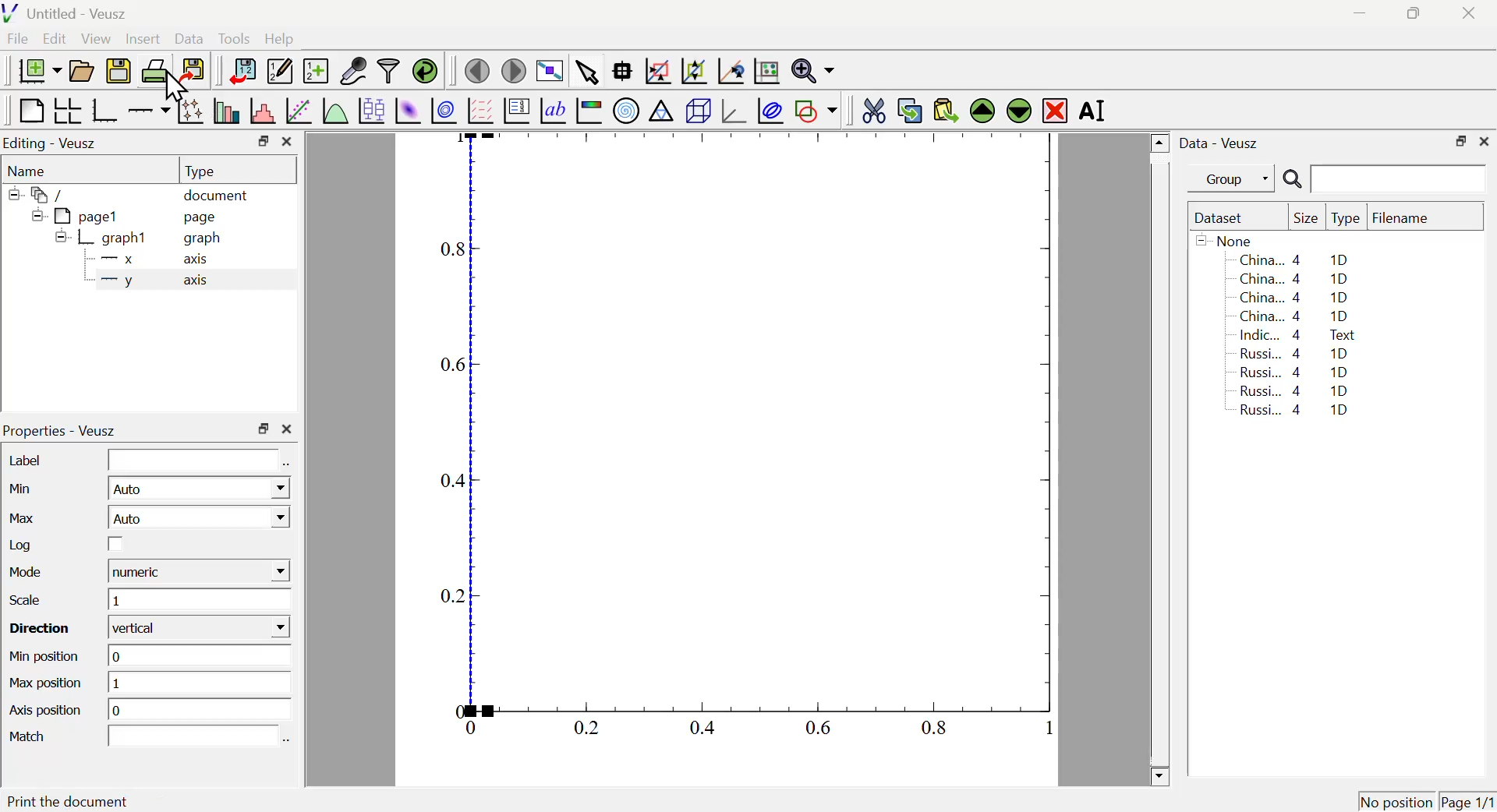 Image resolution: width=1497 pixels, height=812 pixels. I want to click on Histogram of a dataset, so click(263, 111).